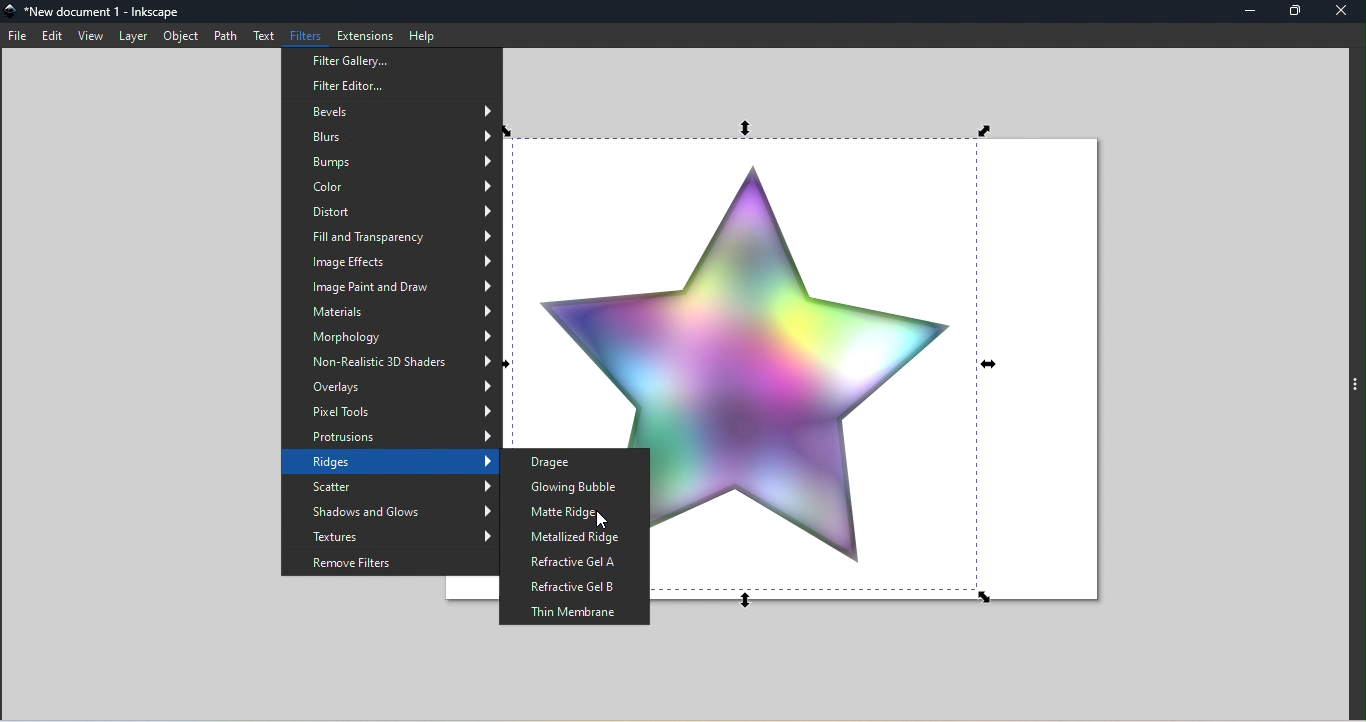  What do you see at coordinates (261, 36) in the screenshot?
I see `Text` at bounding box center [261, 36].